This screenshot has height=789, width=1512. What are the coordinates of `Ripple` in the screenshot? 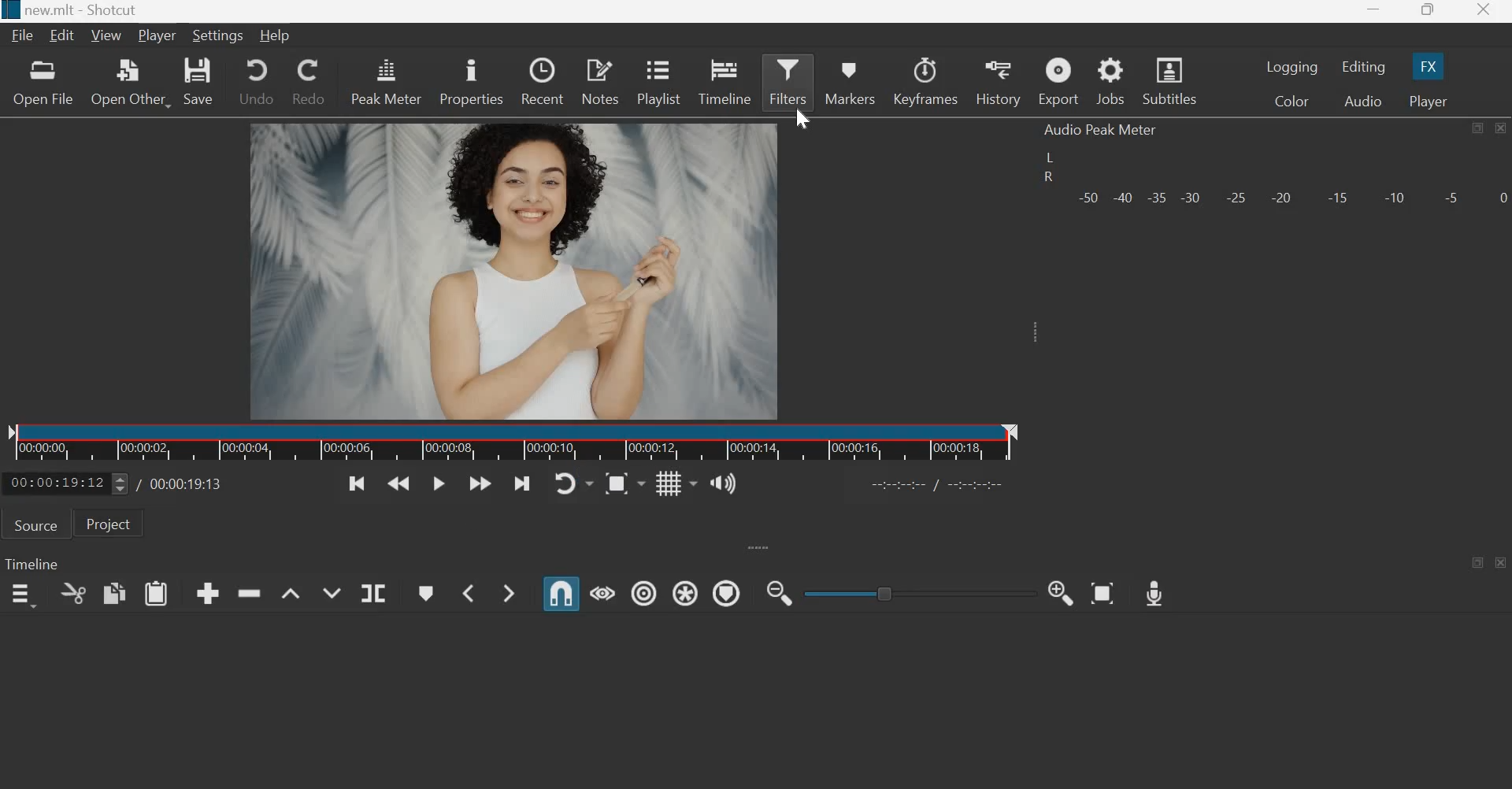 It's located at (644, 591).